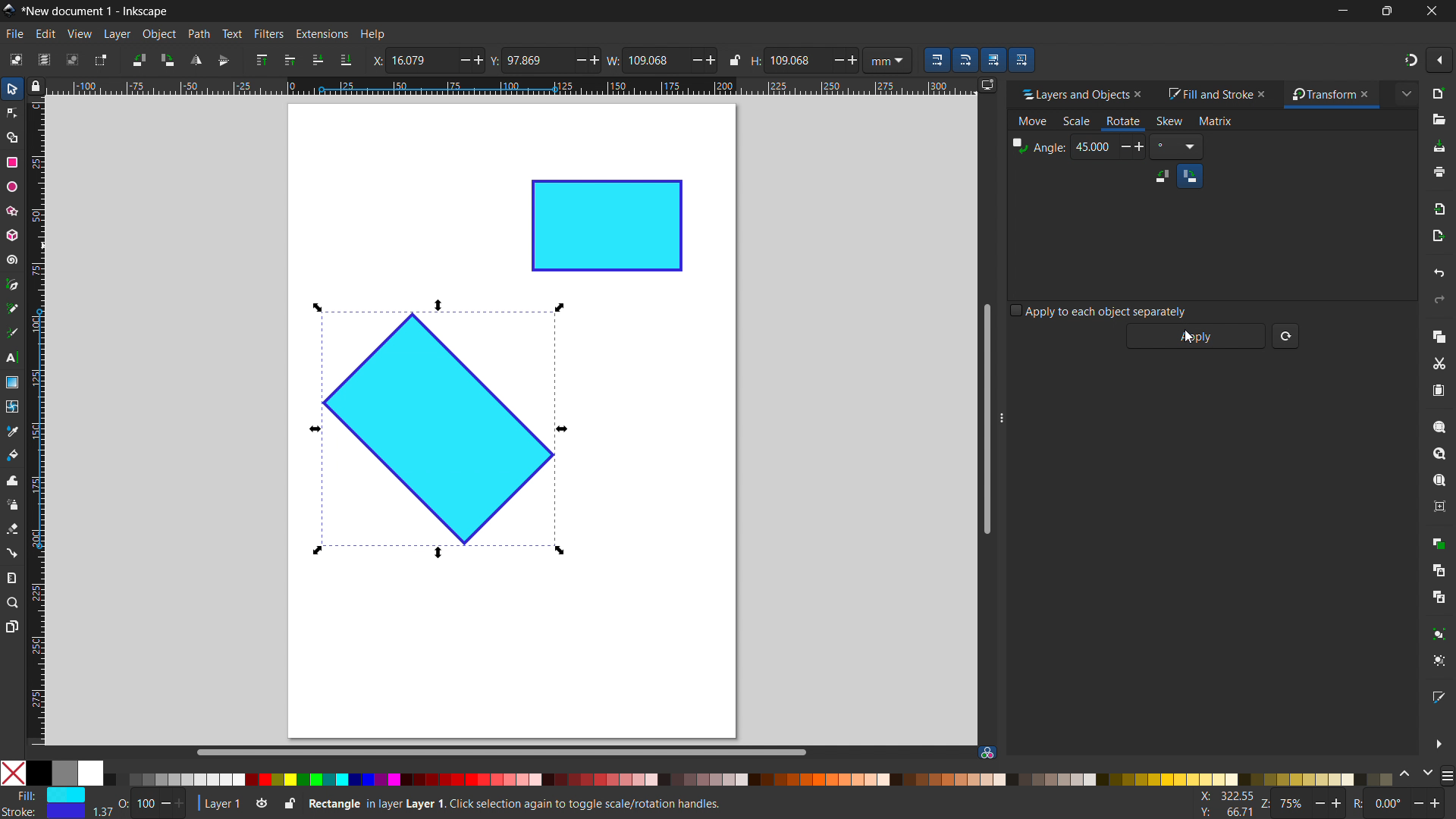  I want to click on paste, so click(1438, 390).